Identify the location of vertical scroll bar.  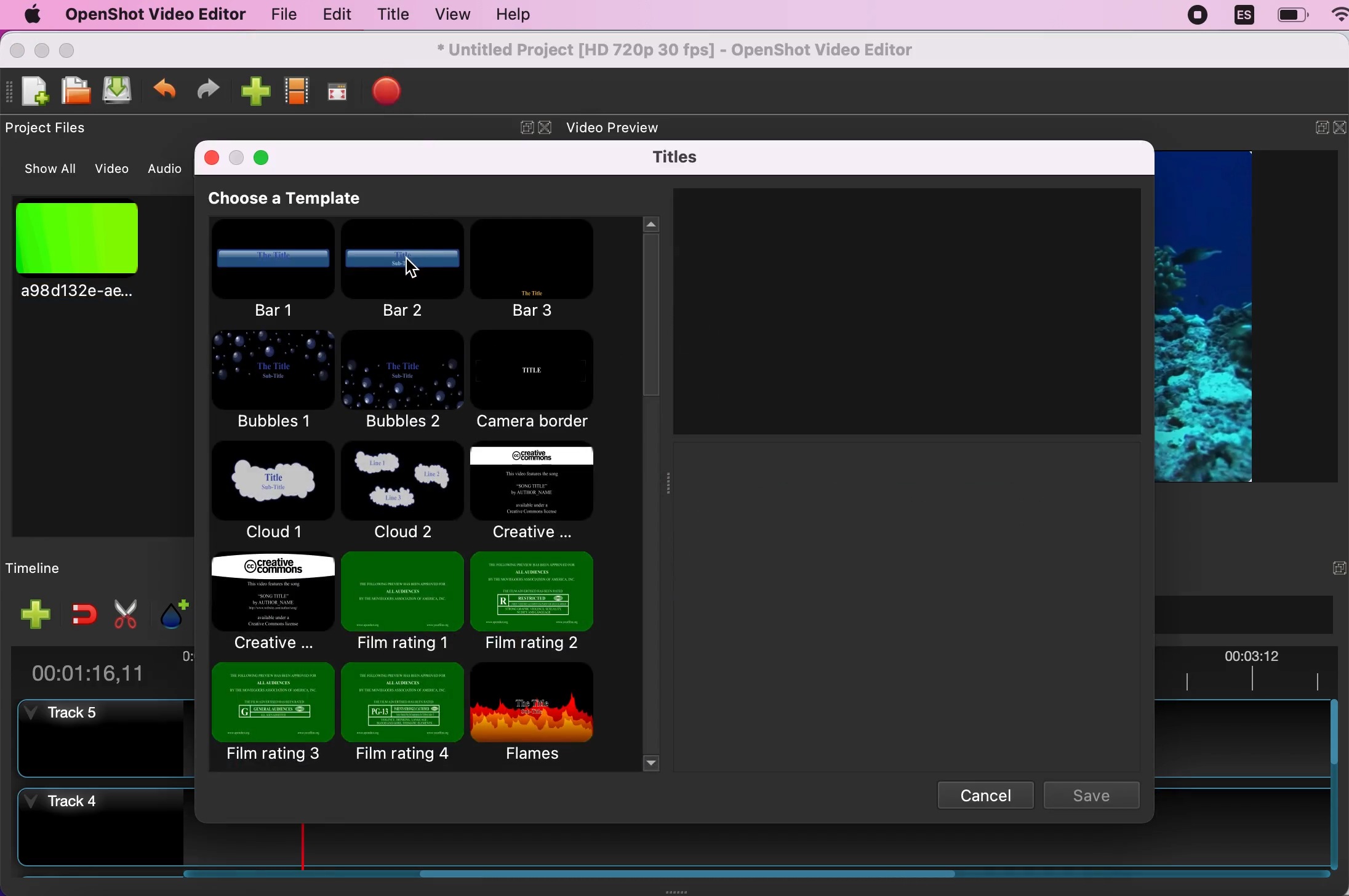
(650, 358).